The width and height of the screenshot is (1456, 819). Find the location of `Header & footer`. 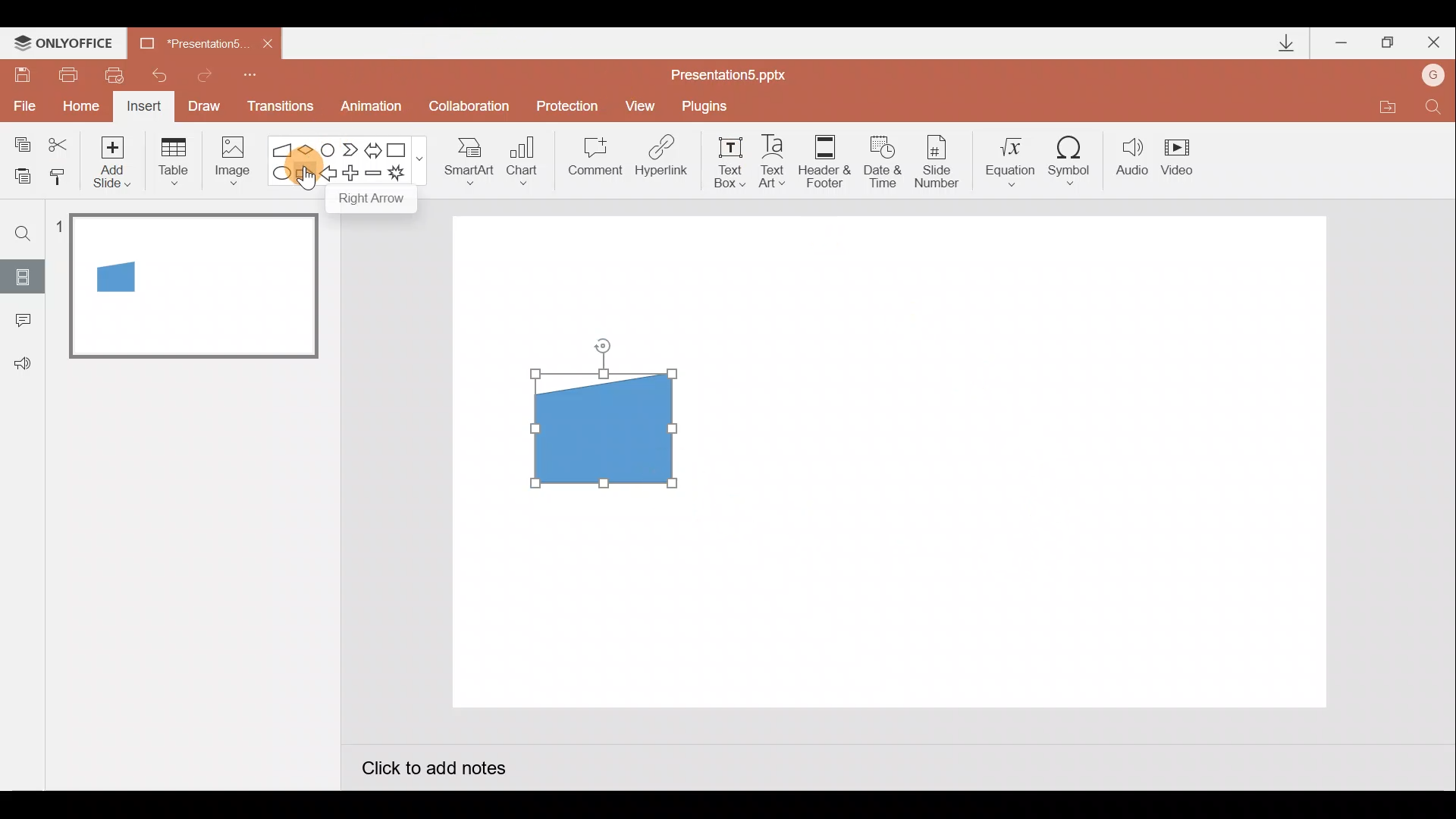

Header & footer is located at coordinates (824, 160).